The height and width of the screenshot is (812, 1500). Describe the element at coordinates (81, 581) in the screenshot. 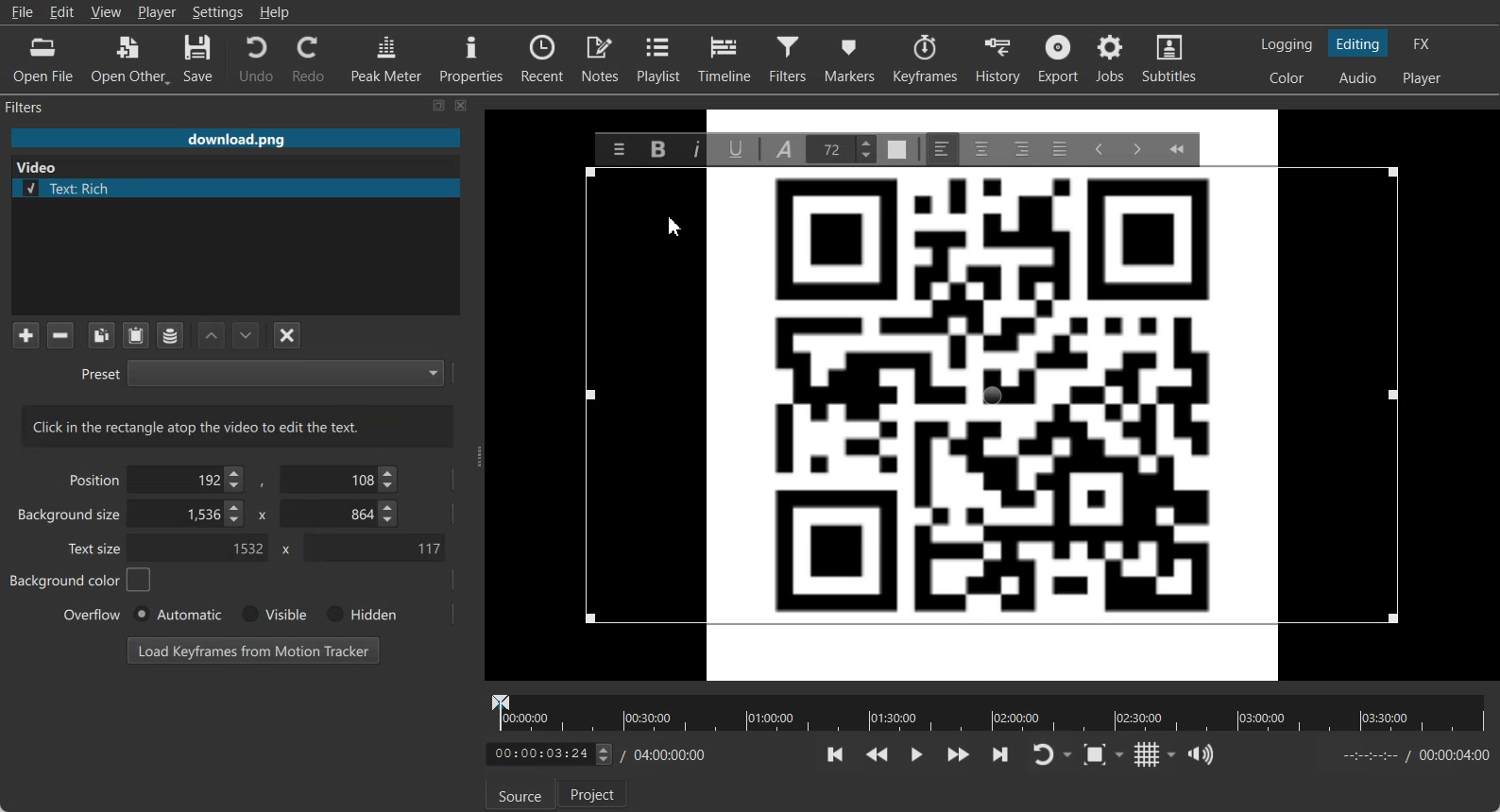

I see `Background color` at that location.